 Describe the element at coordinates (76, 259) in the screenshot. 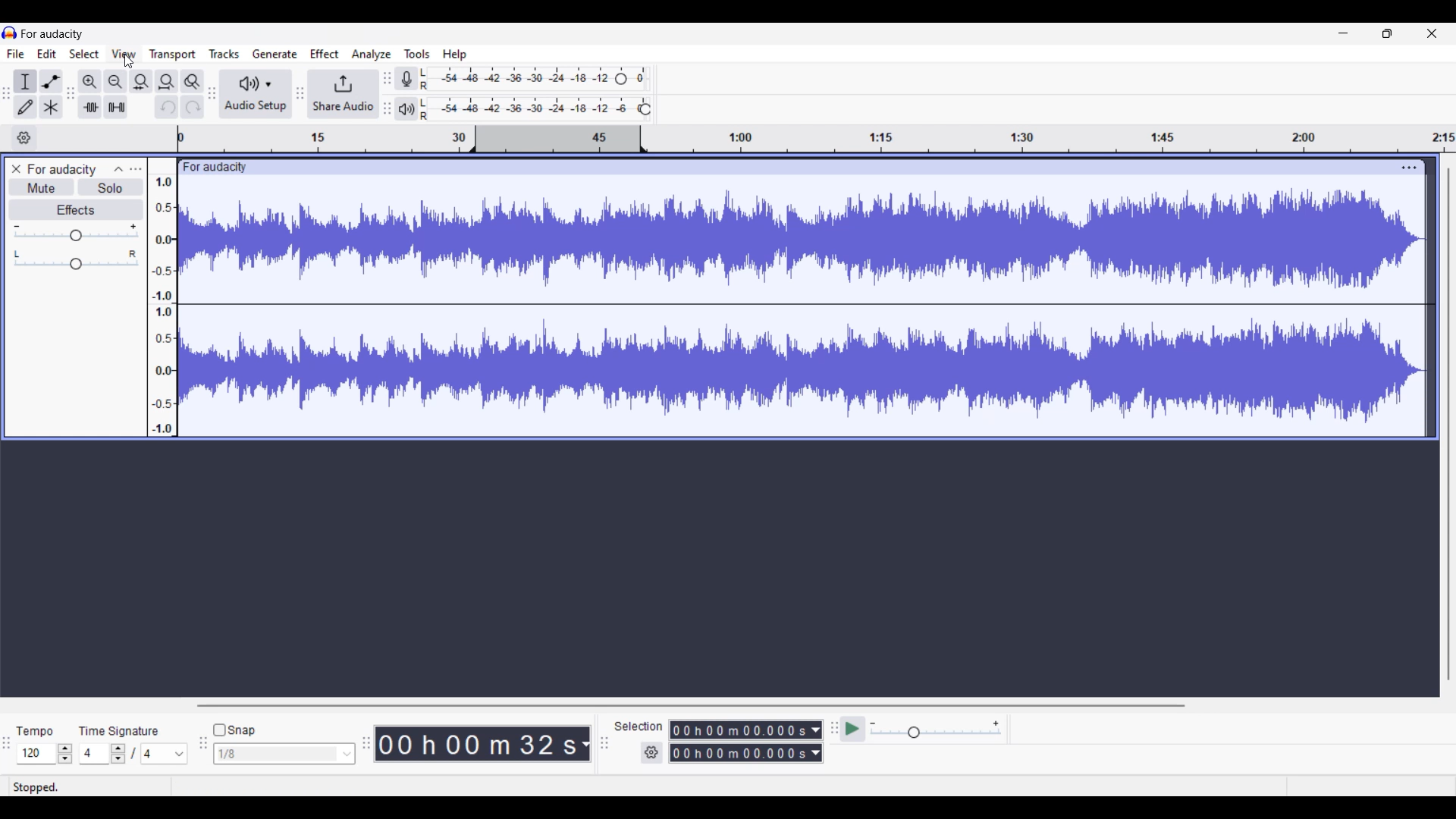

I see `Pan scale` at that location.